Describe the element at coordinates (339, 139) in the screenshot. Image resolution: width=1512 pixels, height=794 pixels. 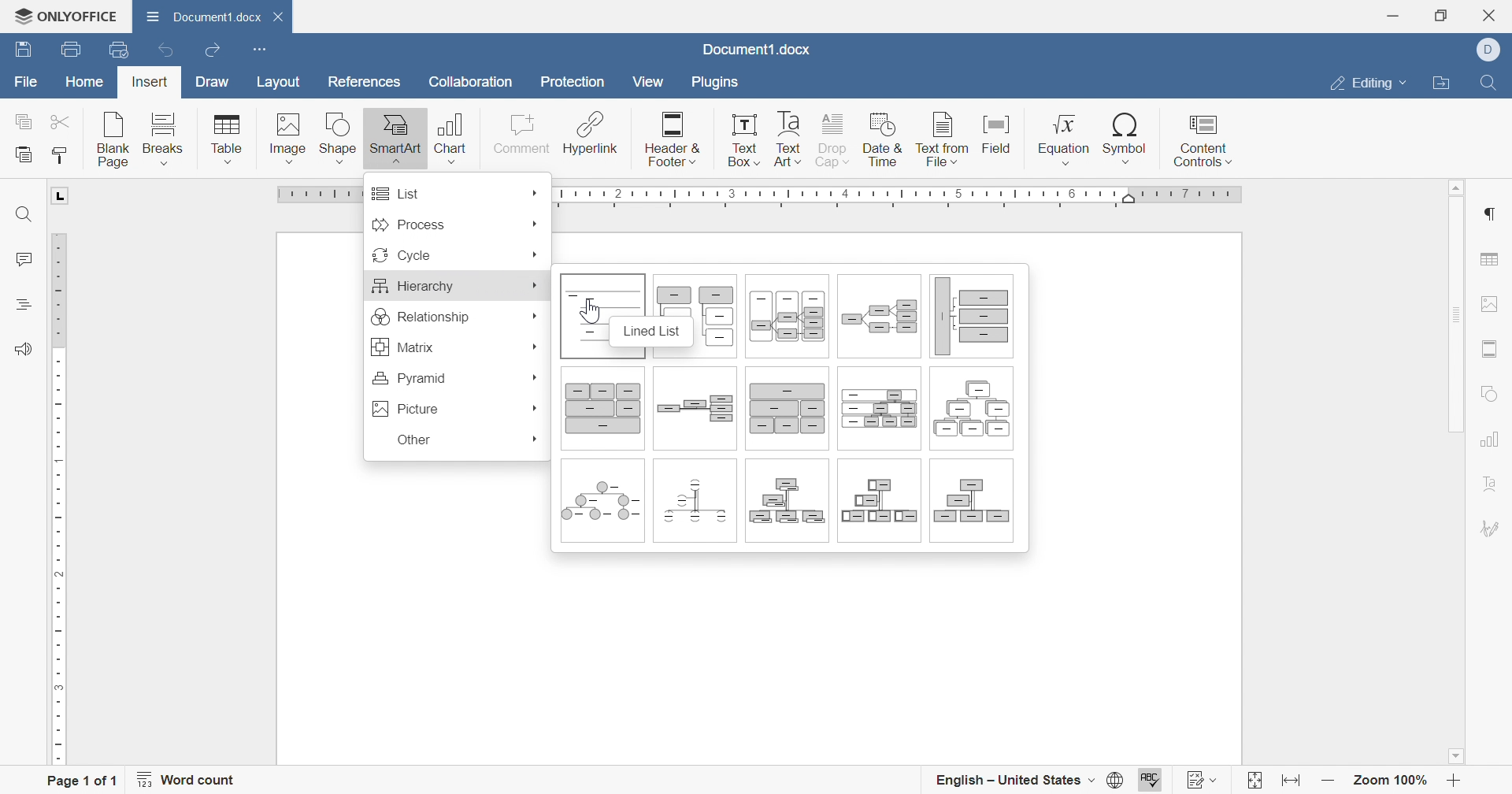
I see `Shape` at that location.